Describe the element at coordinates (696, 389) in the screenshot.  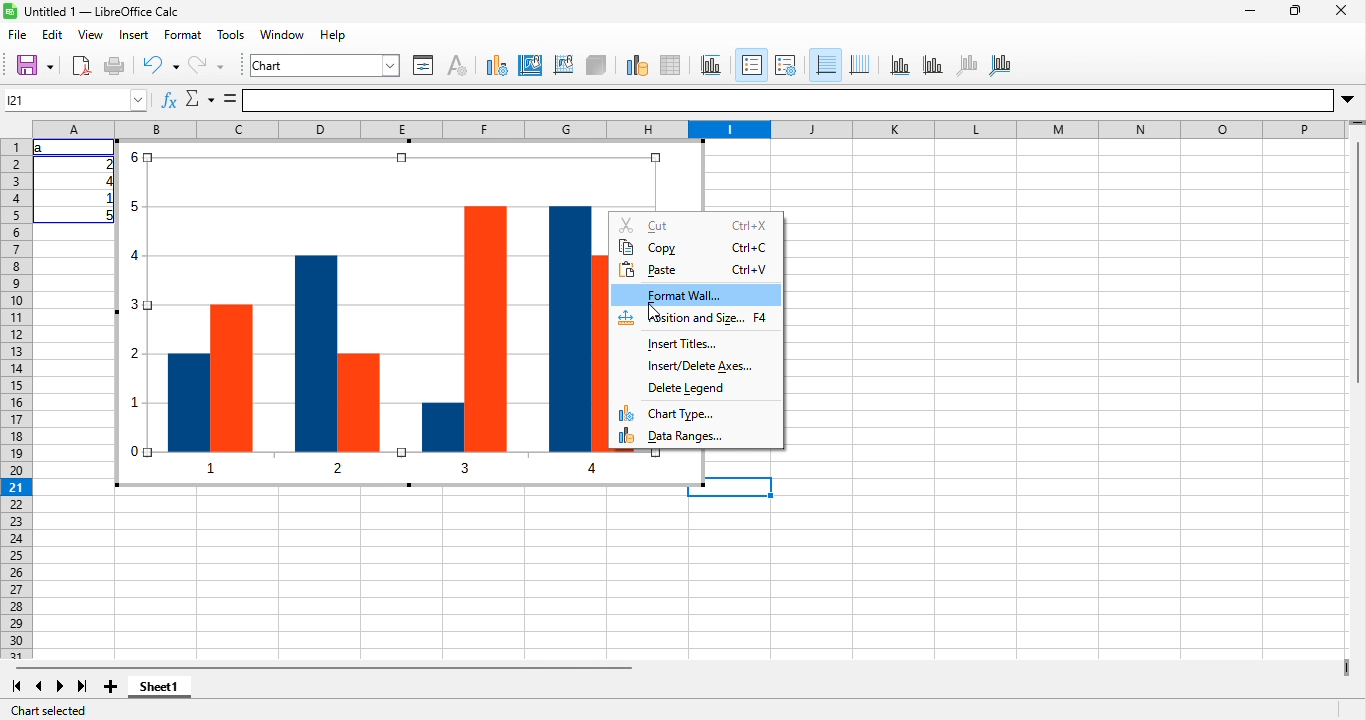
I see `delete legend` at that location.